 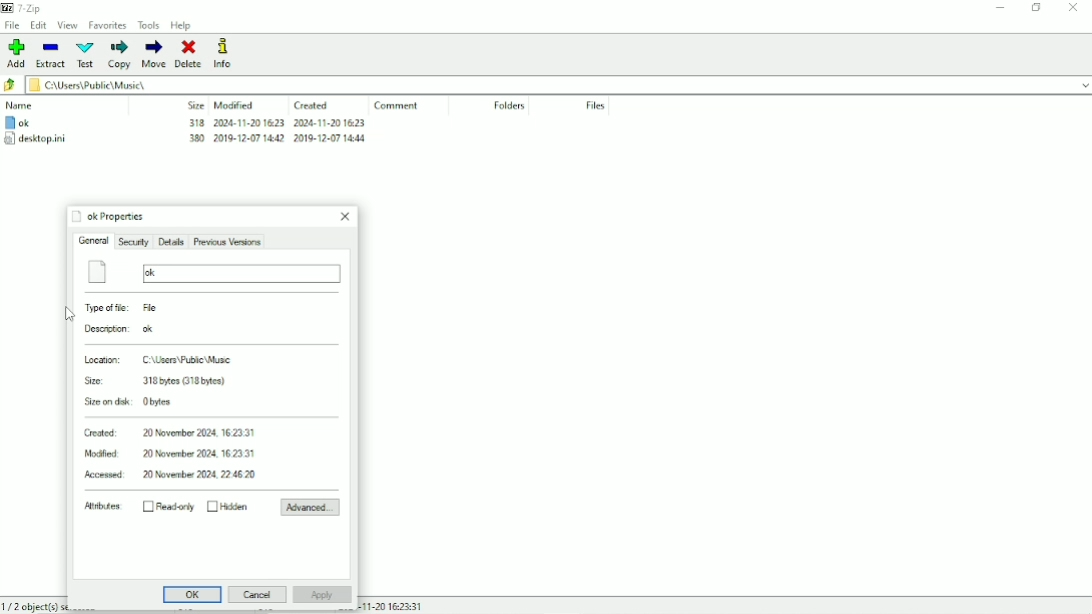 What do you see at coordinates (1074, 9) in the screenshot?
I see `Close` at bounding box center [1074, 9].